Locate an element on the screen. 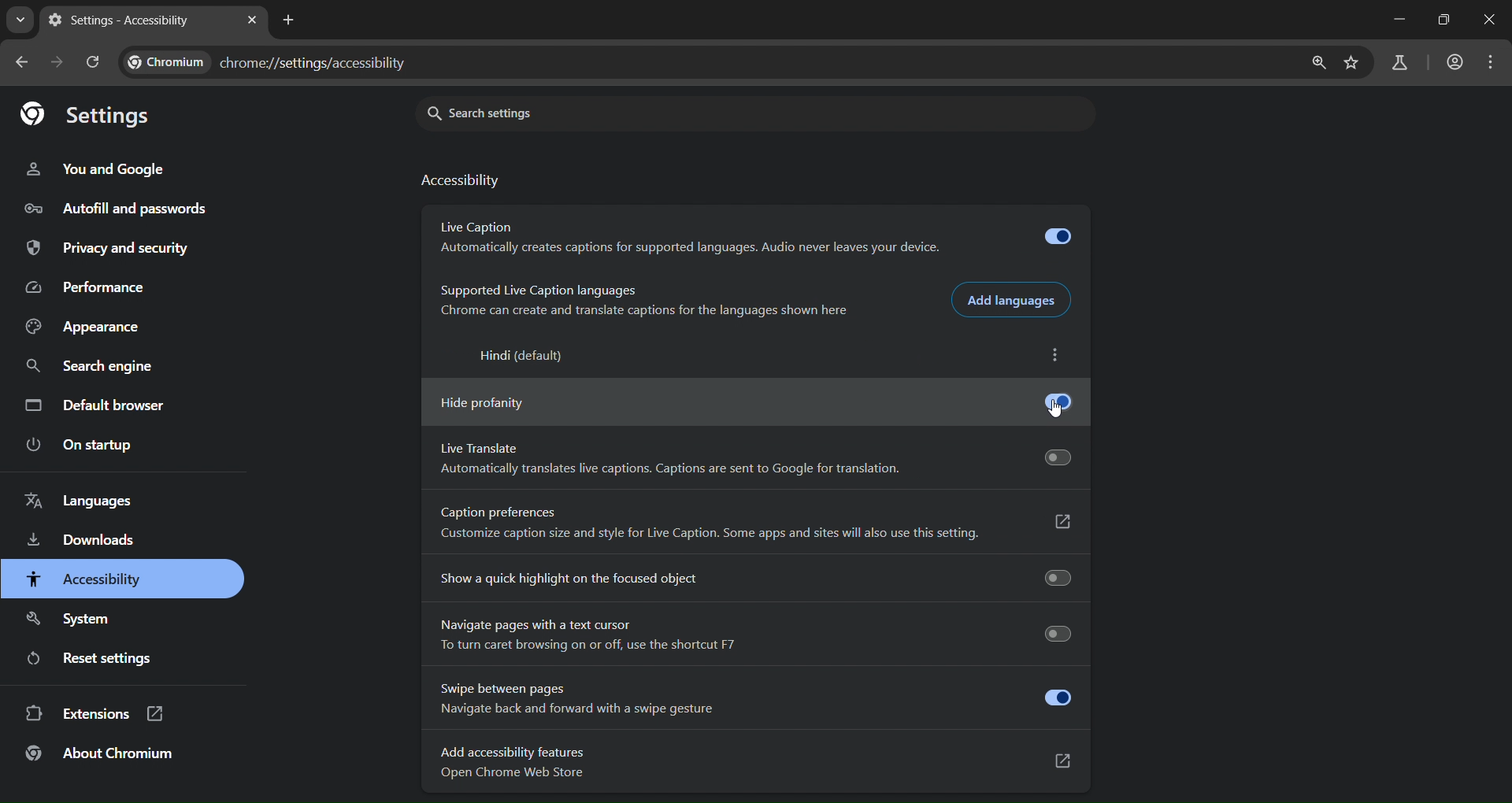  search labs is located at coordinates (1400, 62).